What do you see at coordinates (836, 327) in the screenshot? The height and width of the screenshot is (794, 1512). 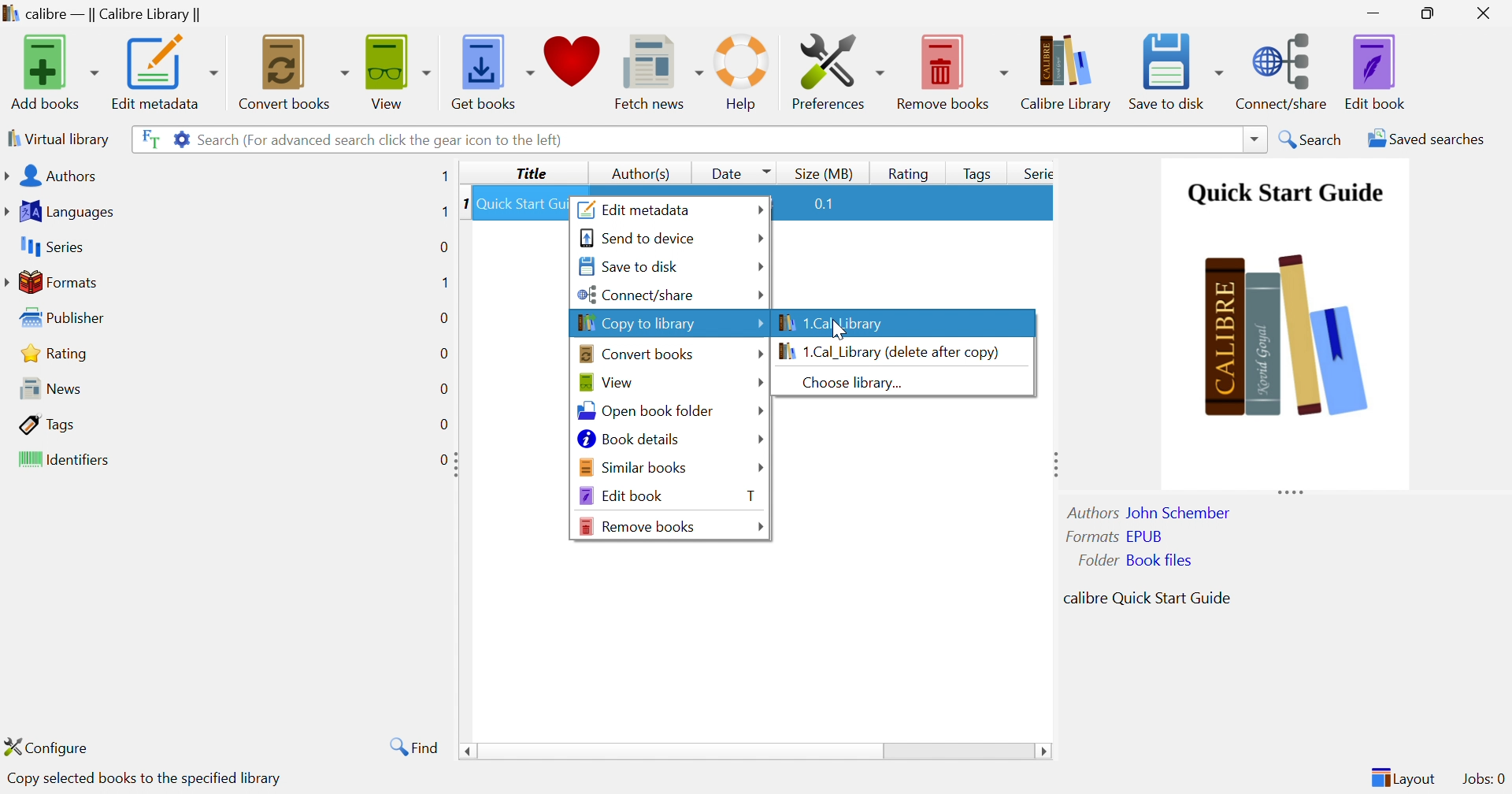 I see `Cursor` at bounding box center [836, 327].